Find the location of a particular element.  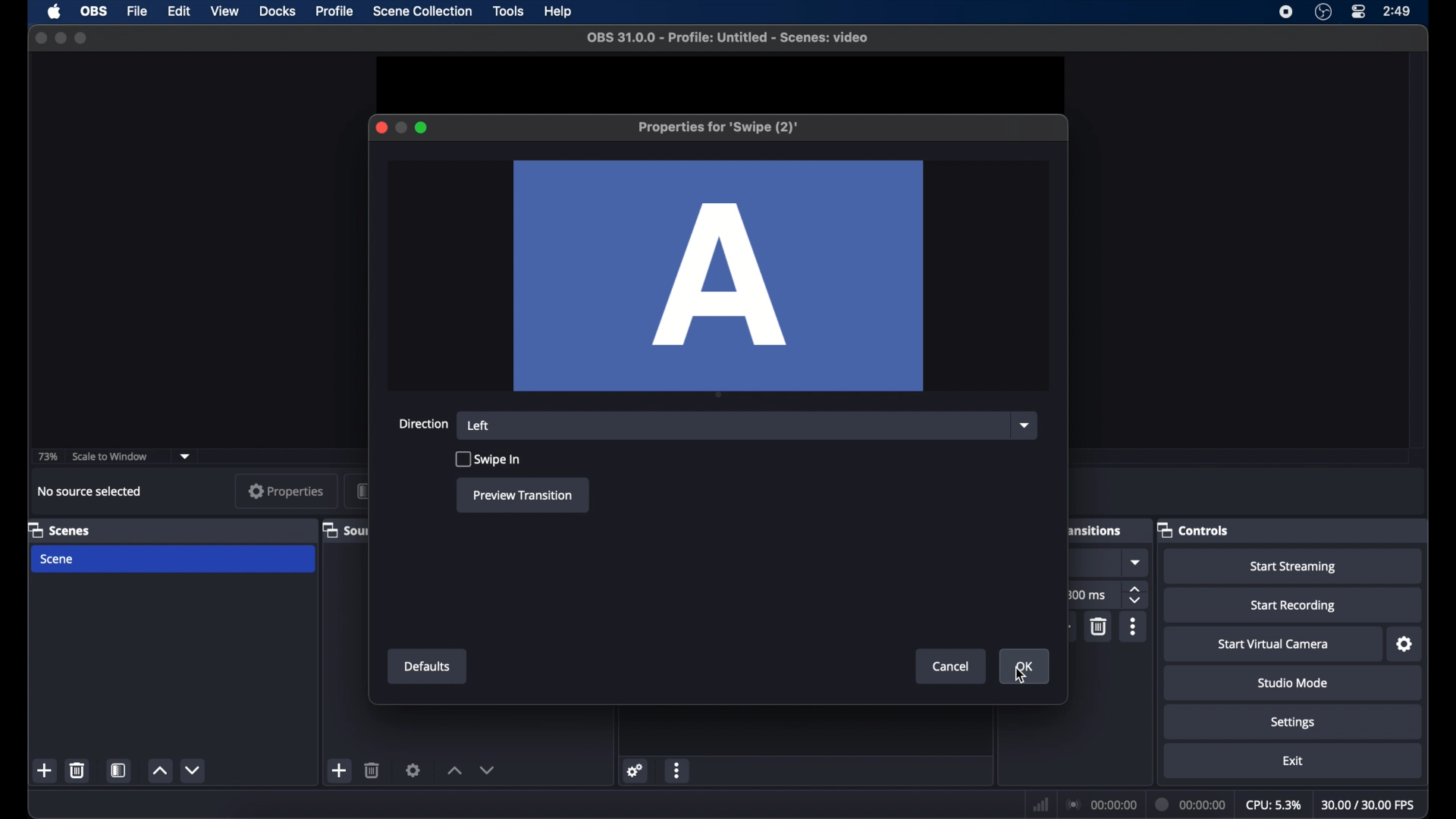

edit is located at coordinates (177, 11).